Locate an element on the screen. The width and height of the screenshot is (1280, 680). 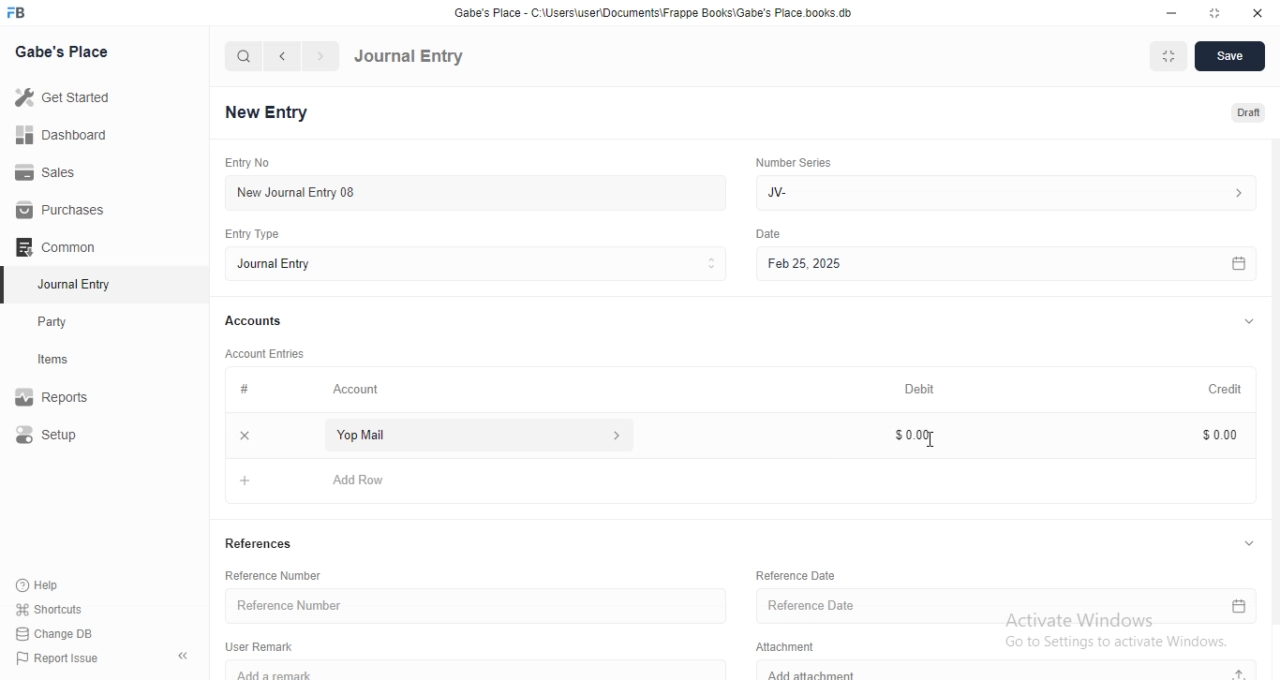
Journal Entry is located at coordinates (71, 284).